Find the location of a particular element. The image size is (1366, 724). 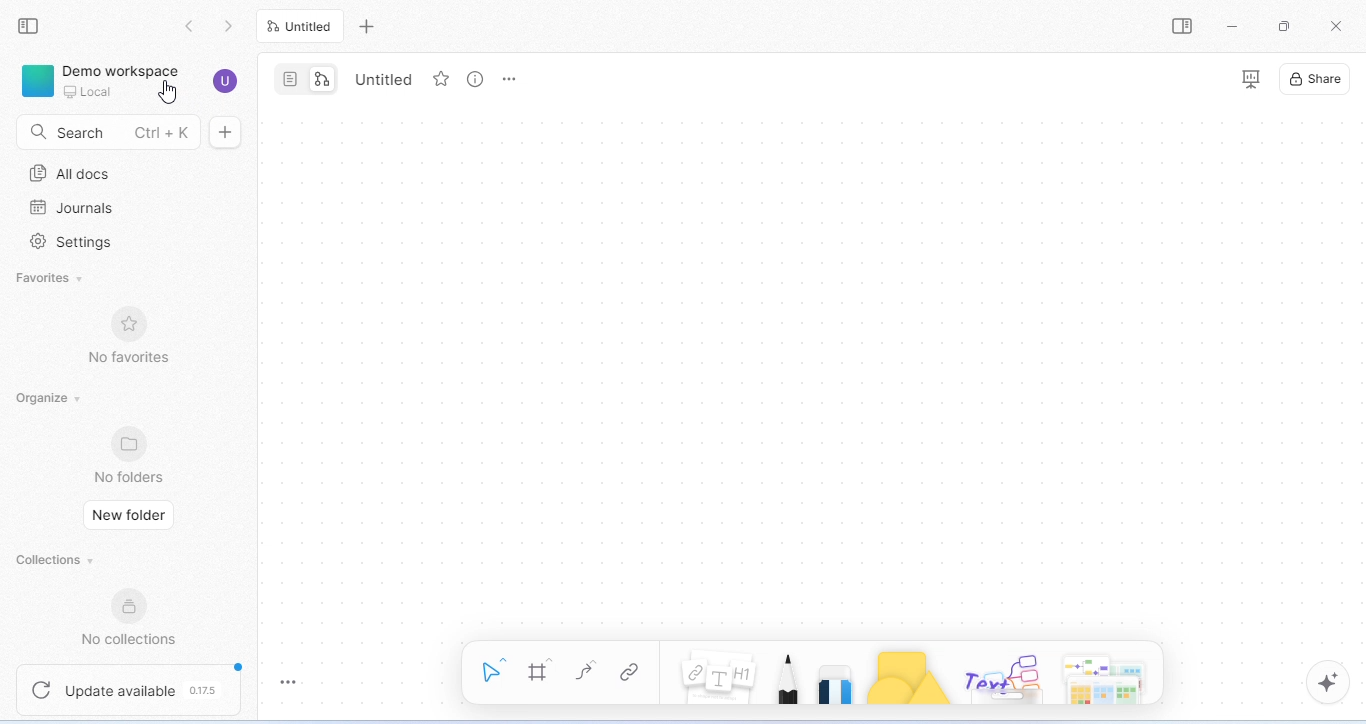

presentation is located at coordinates (1249, 79).